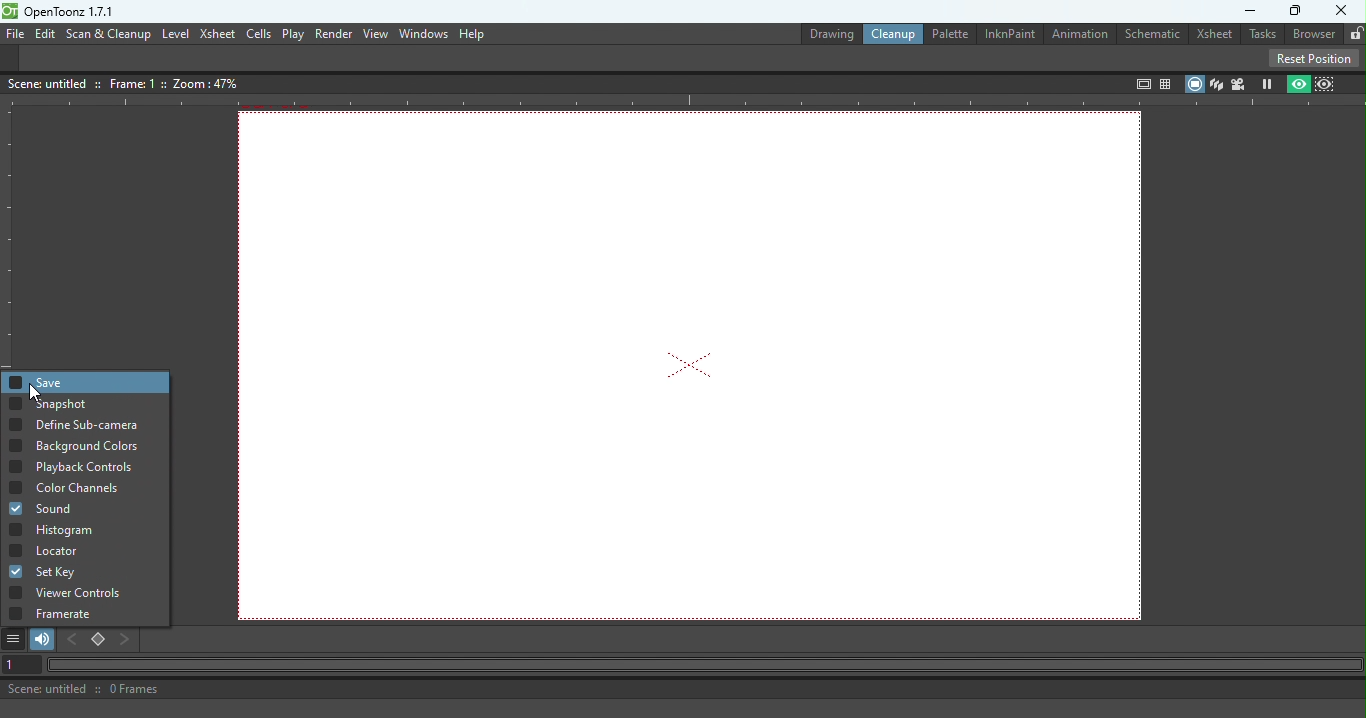 This screenshot has height=718, width=1366. What do you see at coordinates (91, 593) in the screenshot?
I see `Viewer controls` at bounding box center [91, 593].